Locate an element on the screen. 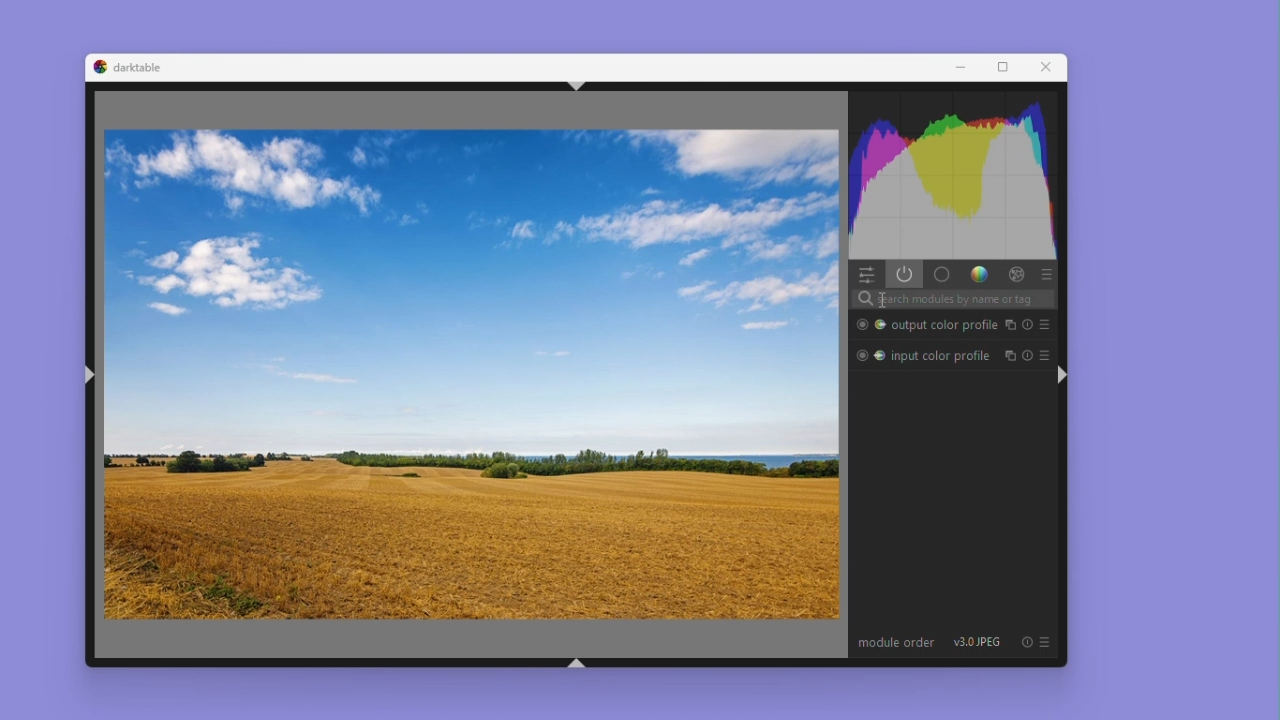  reset is located at coordinates (1029, 323).